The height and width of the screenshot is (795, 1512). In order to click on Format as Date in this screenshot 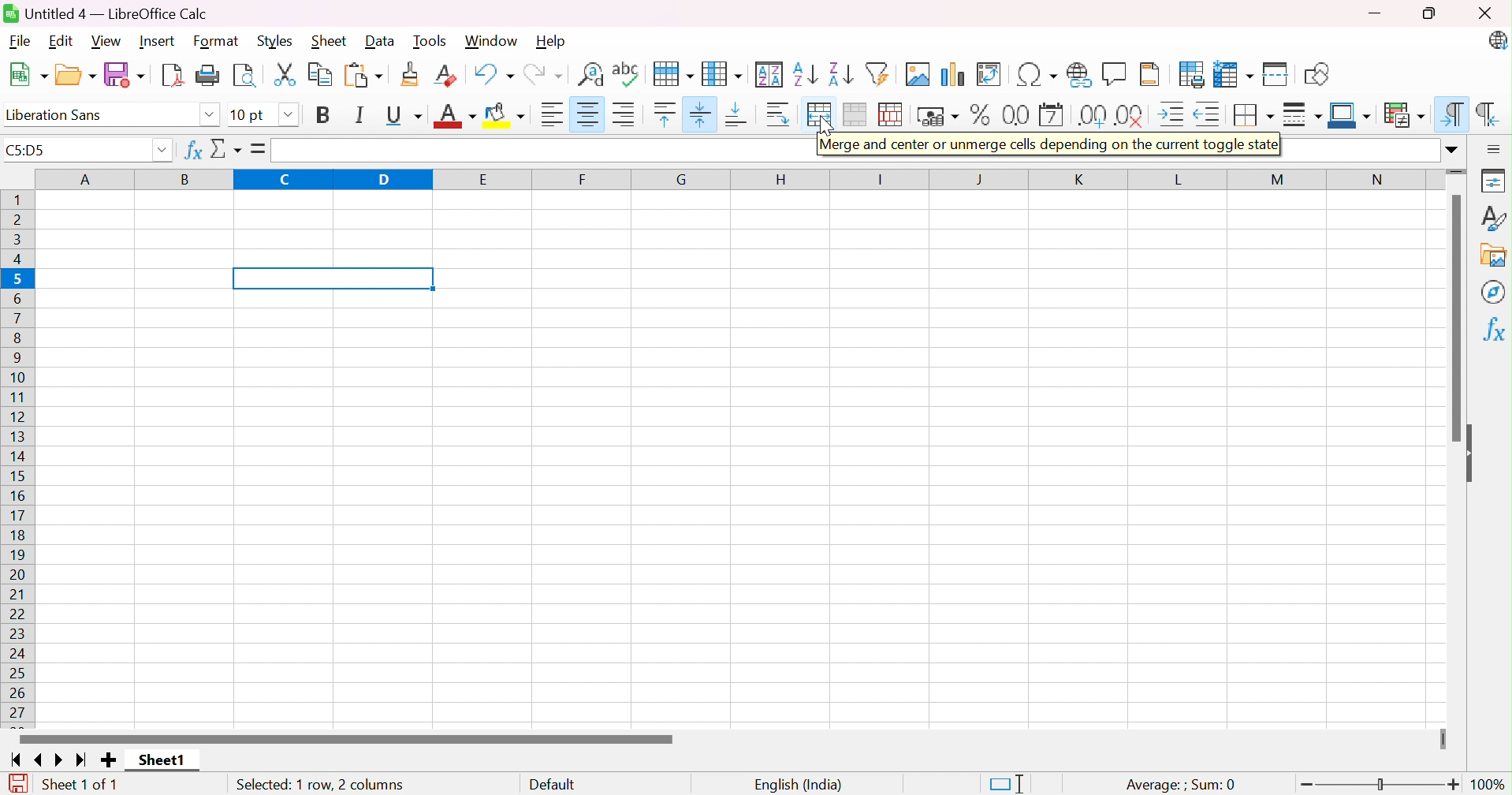, I will do `click(1052, 114)`.